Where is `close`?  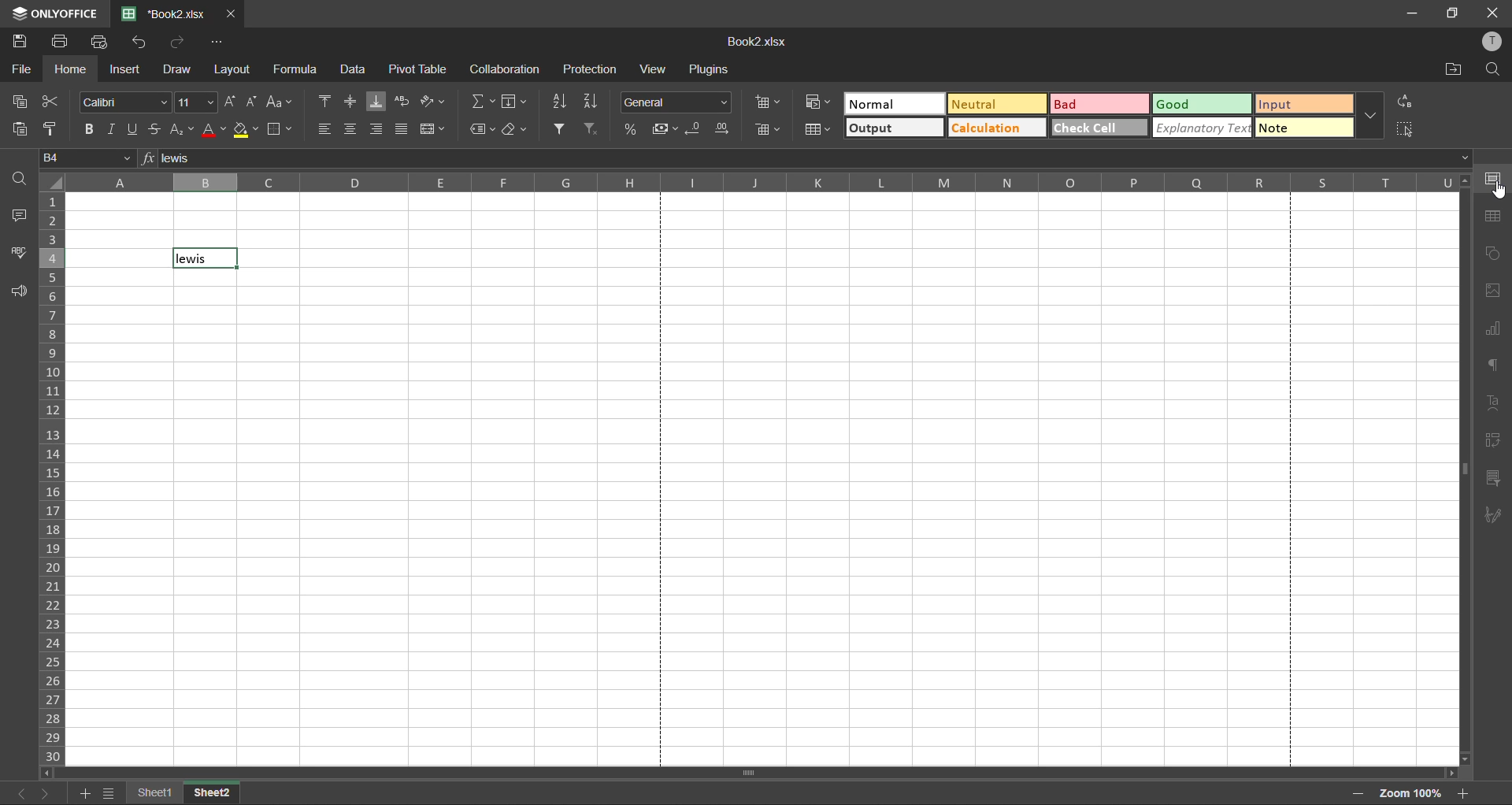
close is located at coordinates (1496, 13).